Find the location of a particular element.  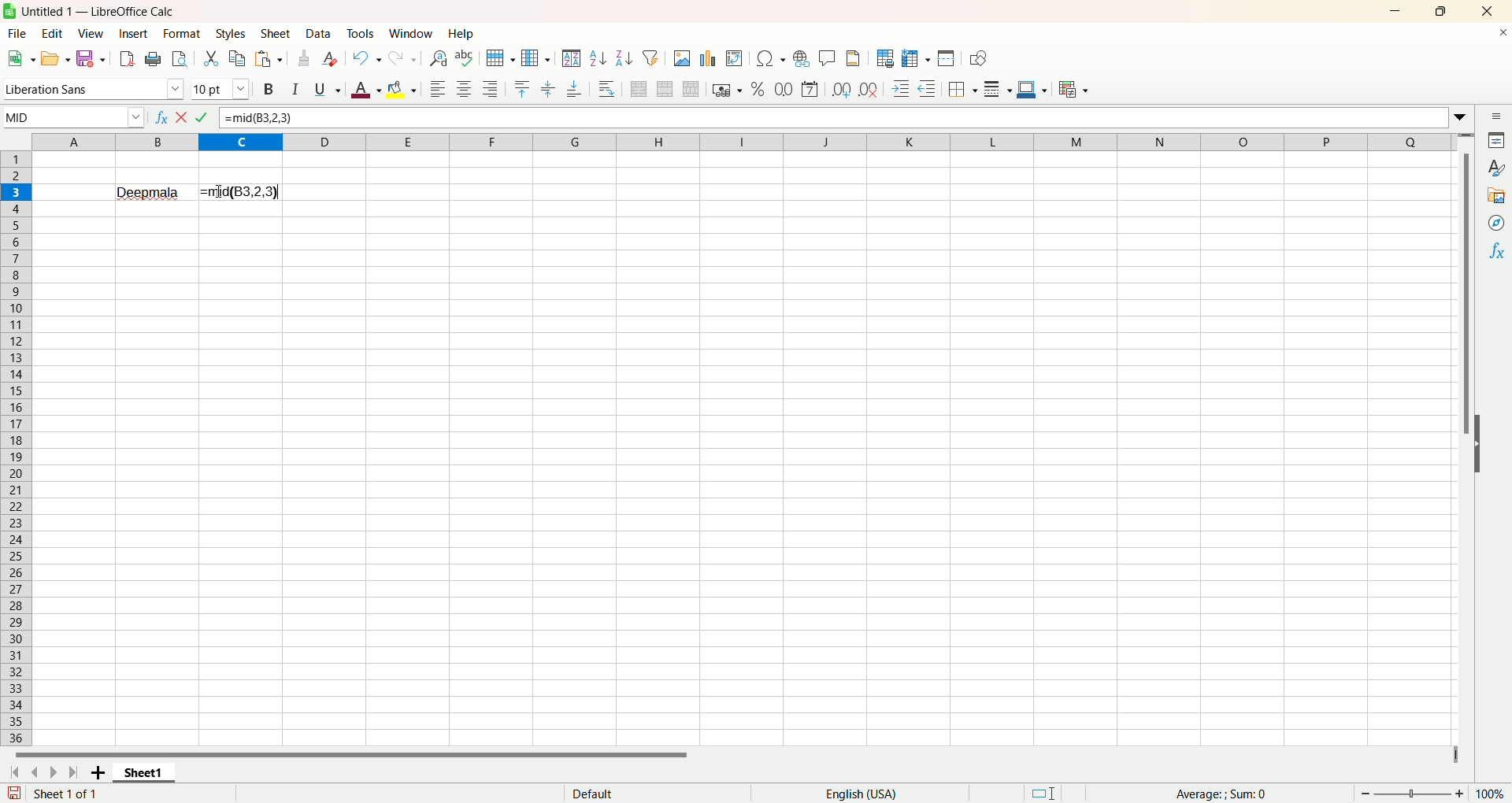

Functions is located at coordinates (1495, 250).